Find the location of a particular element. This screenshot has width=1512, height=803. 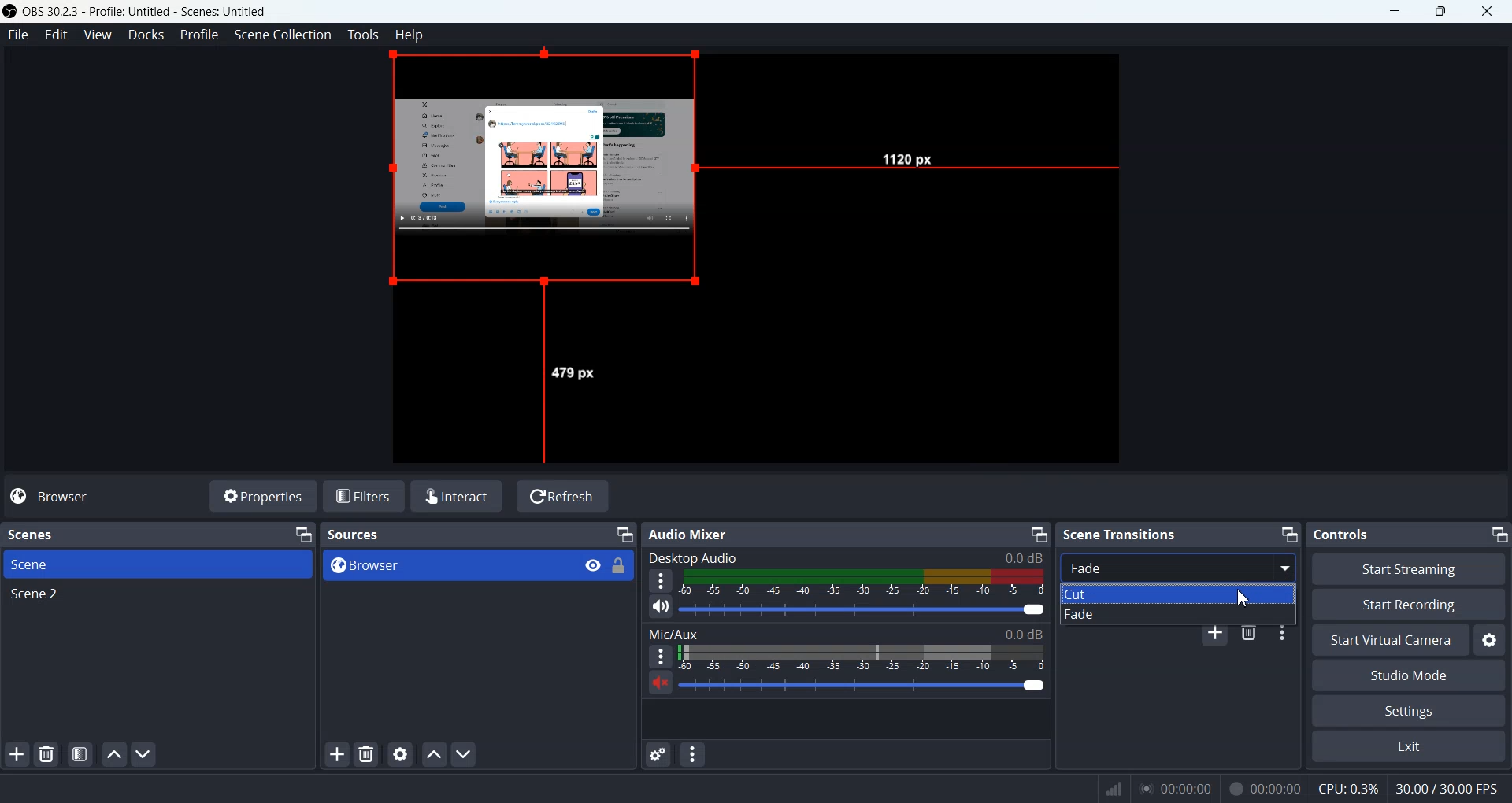

Move source down is located at coordinates (464, 754).